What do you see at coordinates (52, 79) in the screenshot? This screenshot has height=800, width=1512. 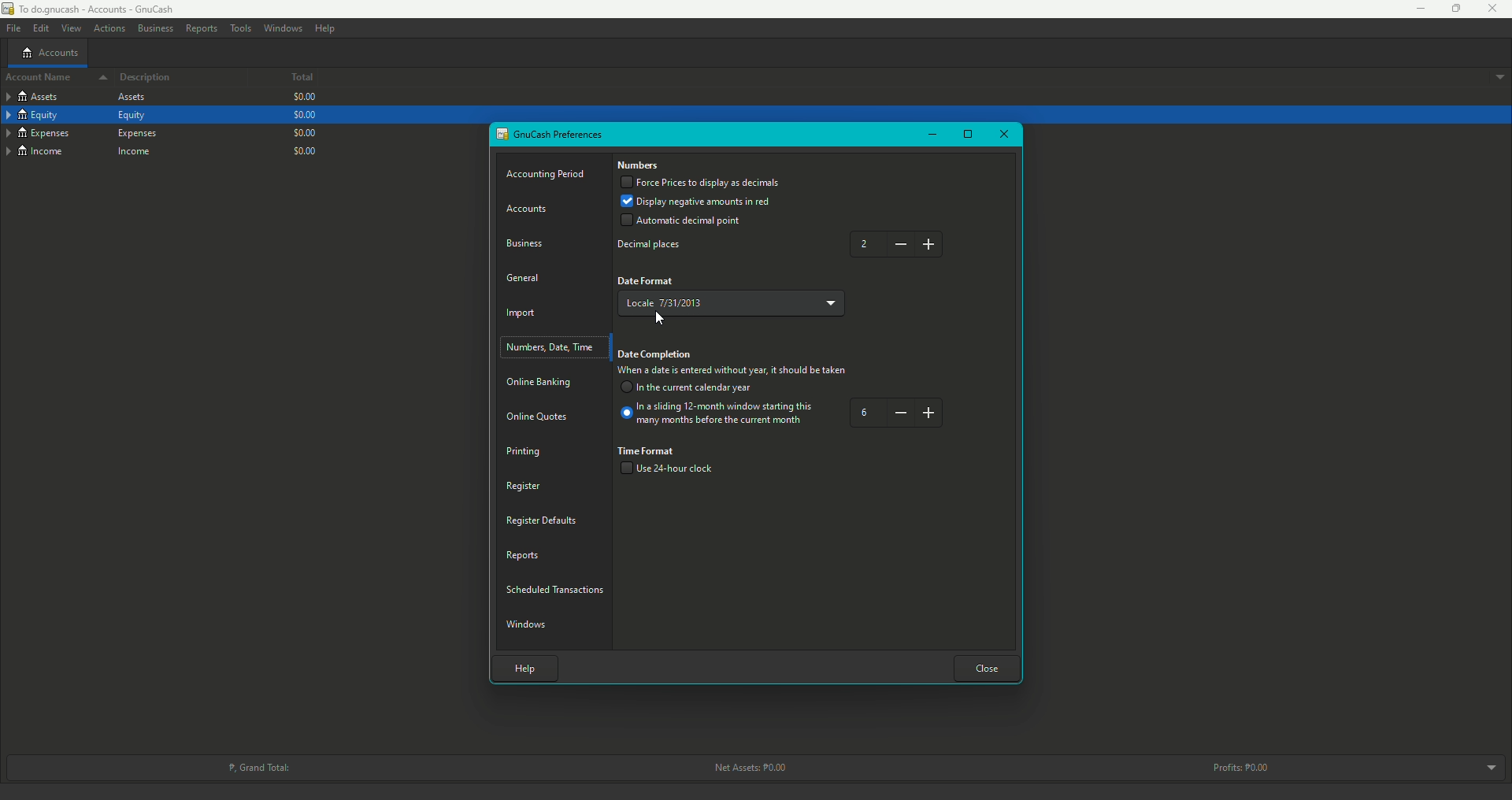 I see `Account name` at bounding box center [52, 79].